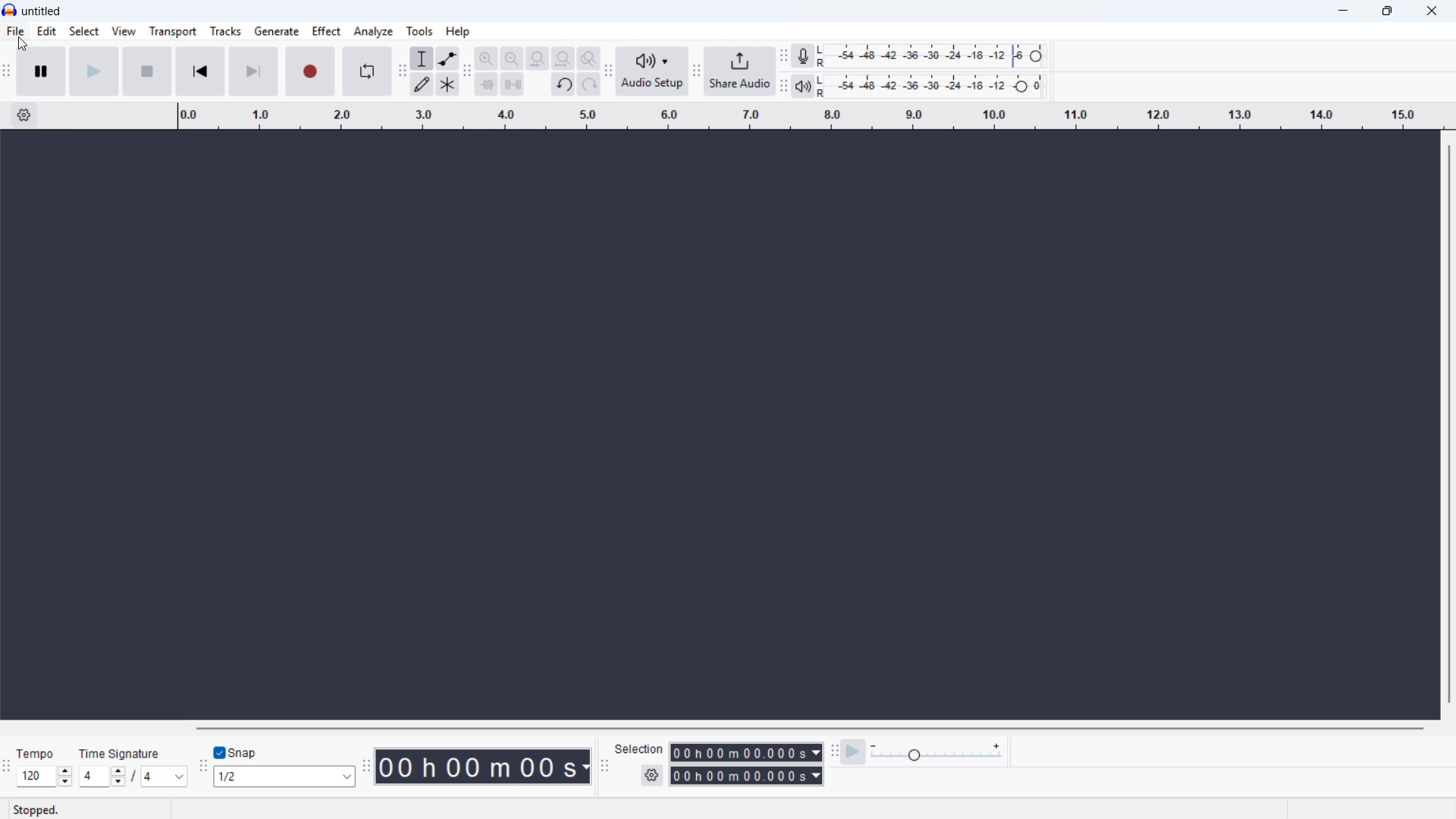 This screenshot has width=1456, height=819. What do you see at coordinates (513, 85) in the screenshot?
I see `Silence audio selection ` at bounding box center [513, 85].